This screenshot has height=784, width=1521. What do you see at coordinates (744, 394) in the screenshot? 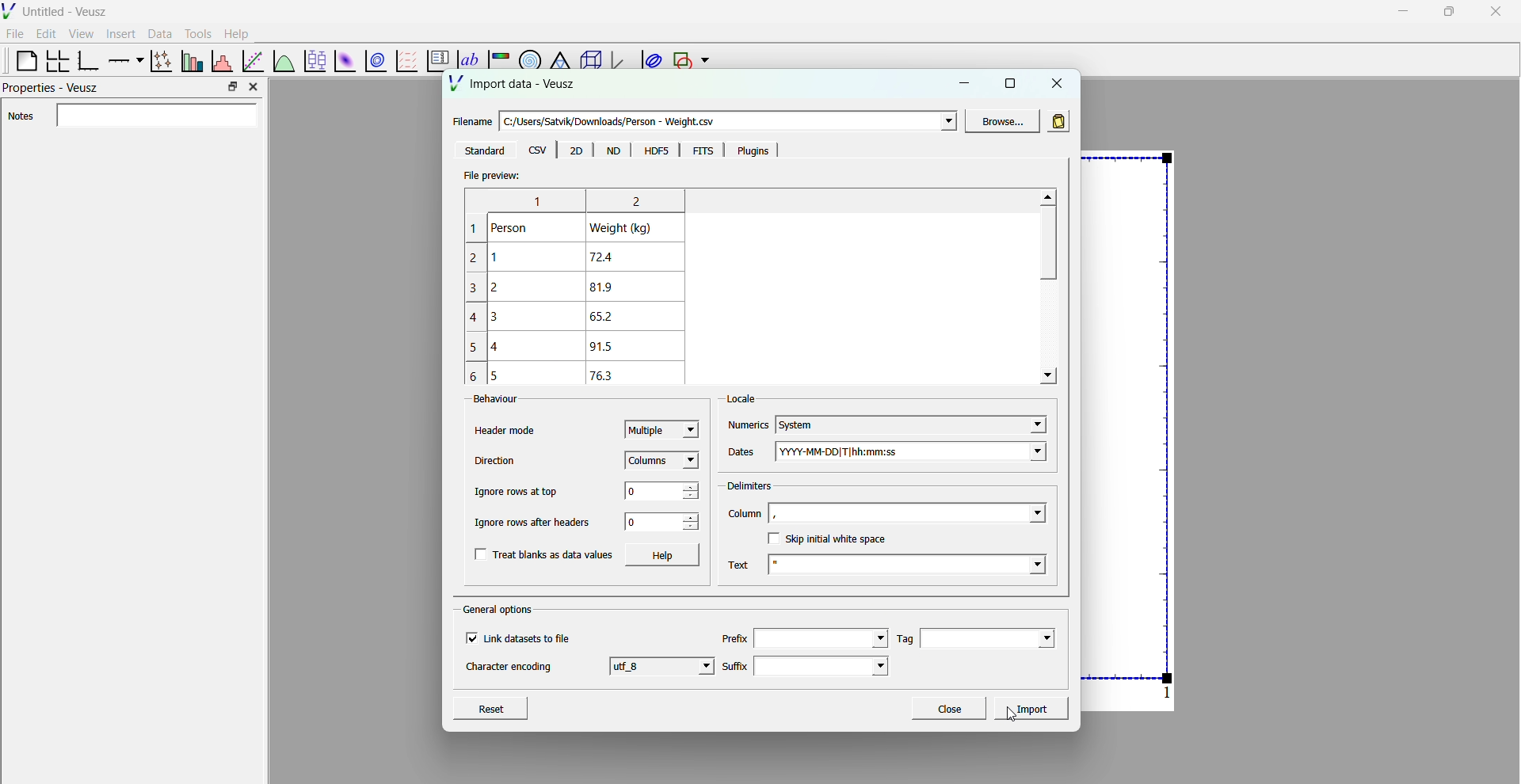
I see `Locale` at bounding box center [744, 394].